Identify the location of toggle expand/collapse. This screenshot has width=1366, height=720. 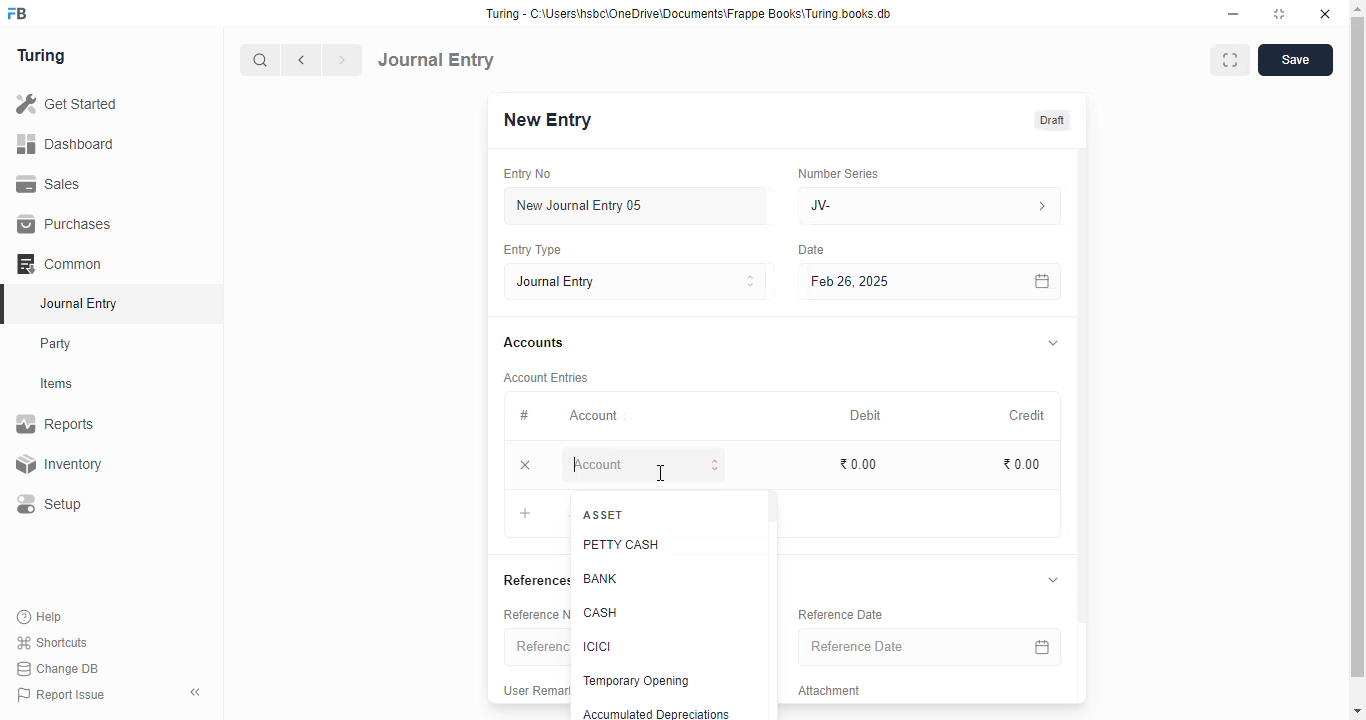
(1051, 343).